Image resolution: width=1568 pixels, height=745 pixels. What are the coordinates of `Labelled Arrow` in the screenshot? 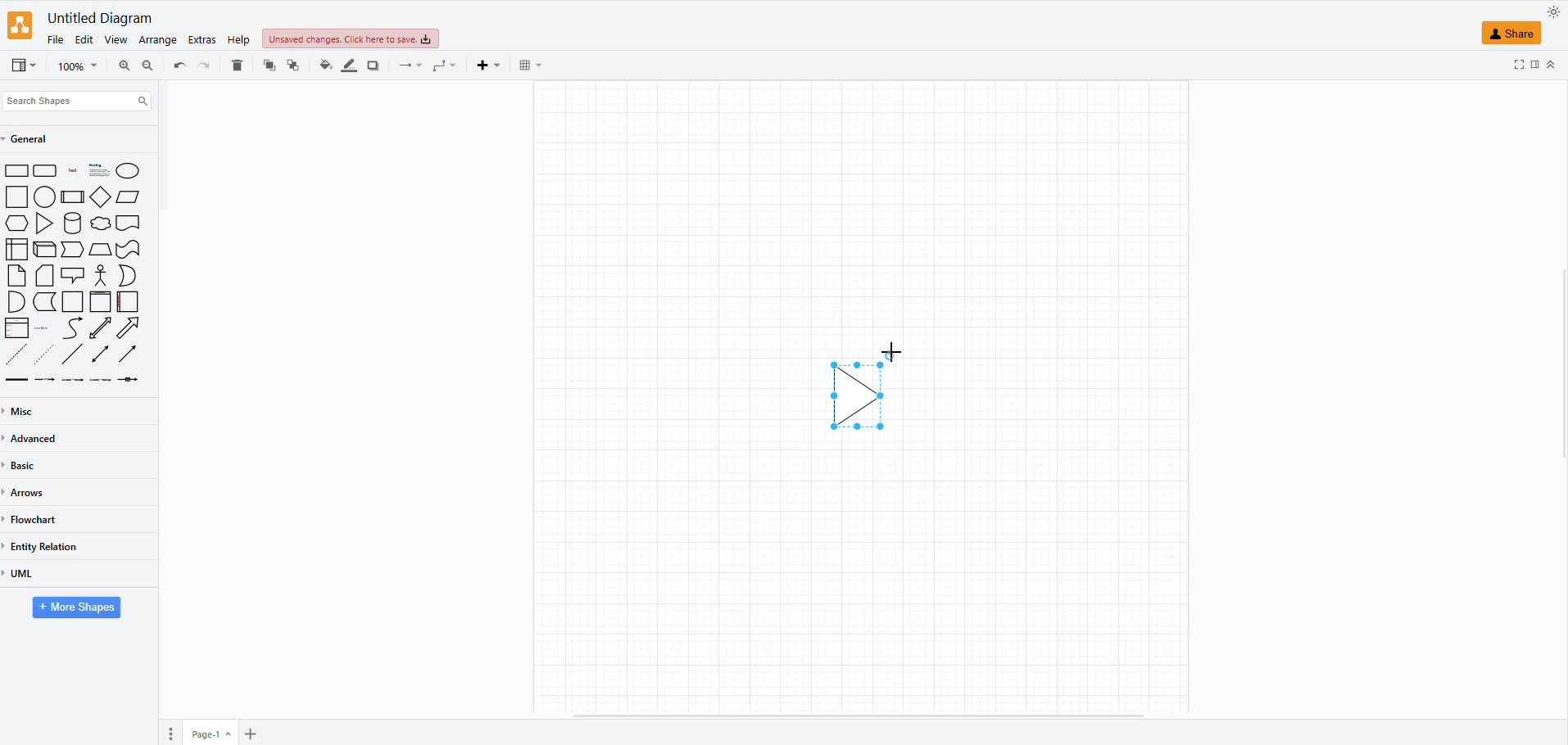 It's located at (132, 381).